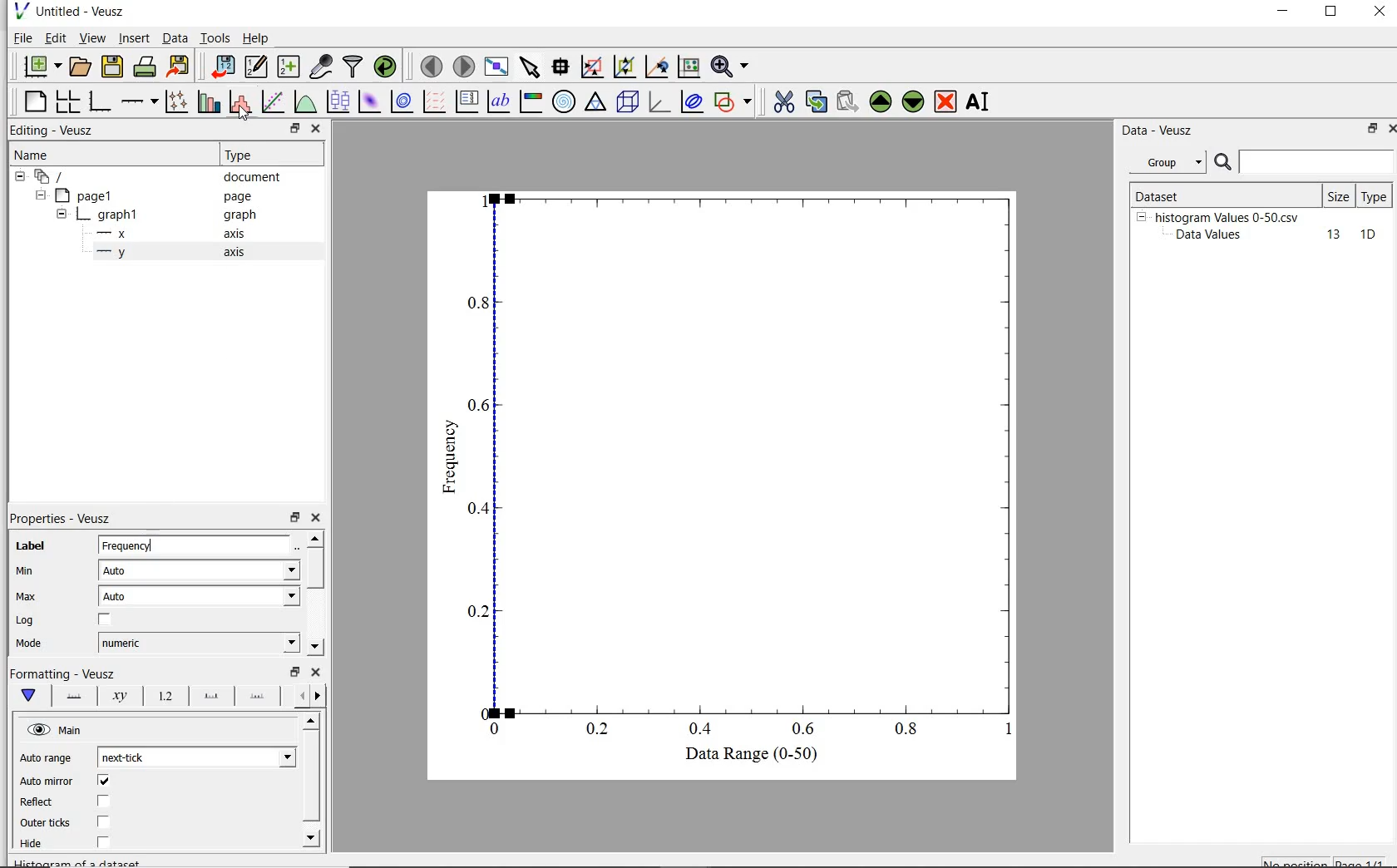 The width and height of the screenshot is (1397, 868). Describe the element at coordinates (197, 643) in the screenshot. I see `numeric` at that location.